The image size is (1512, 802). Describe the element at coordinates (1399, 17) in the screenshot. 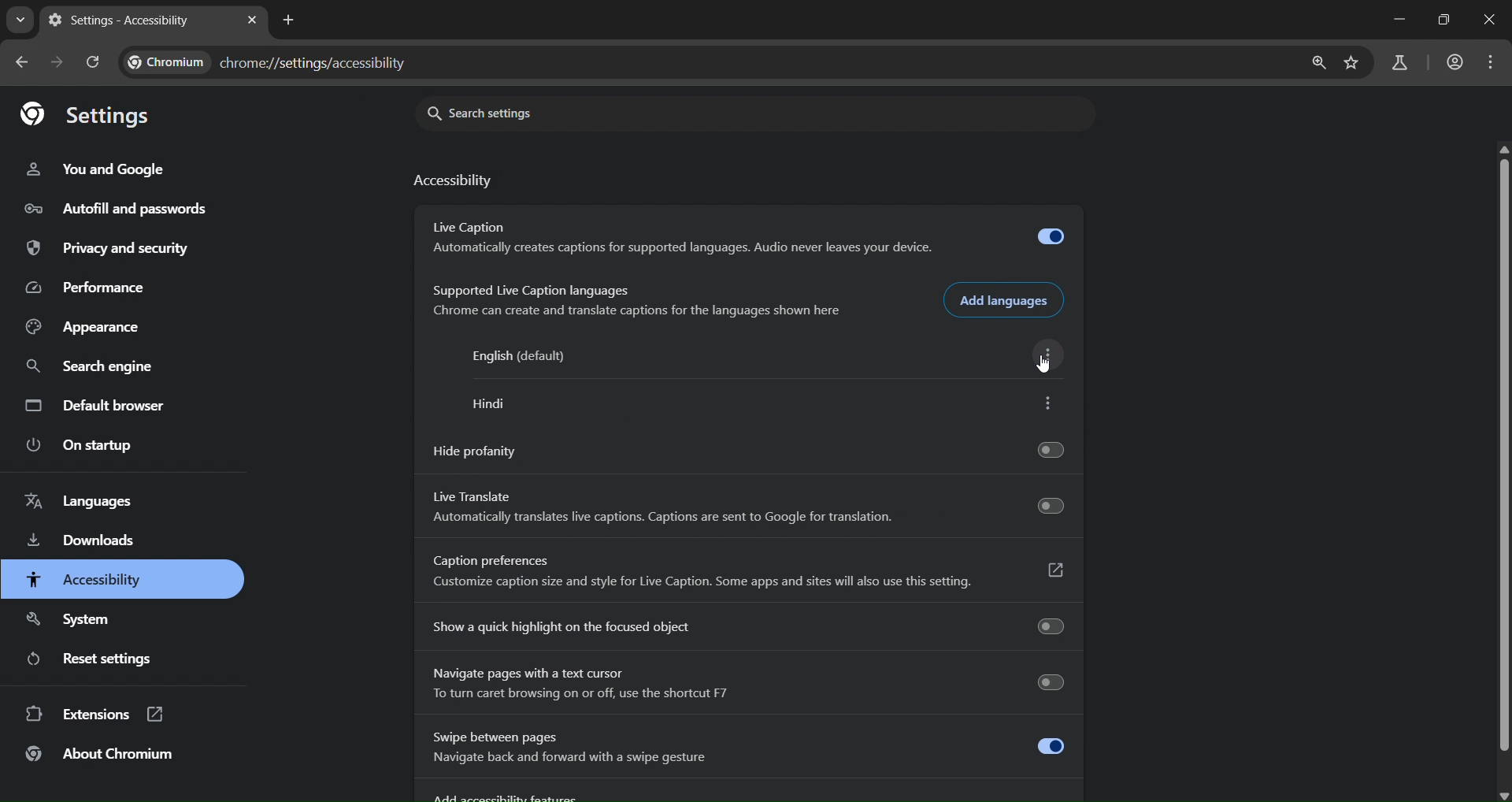

I see `minimize` at that location.